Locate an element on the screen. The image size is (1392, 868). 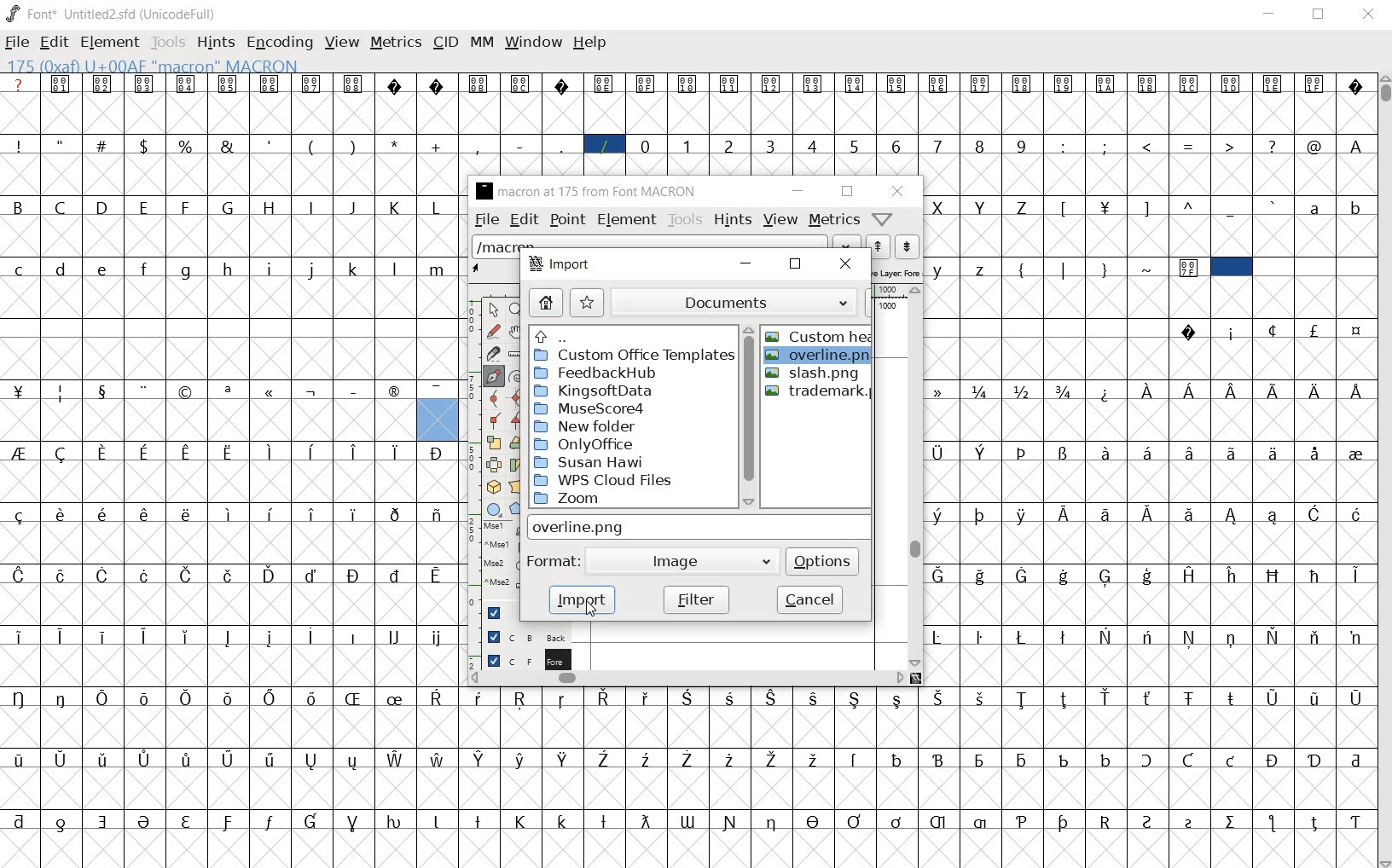
Symbol is located at coordinates (774, 758).